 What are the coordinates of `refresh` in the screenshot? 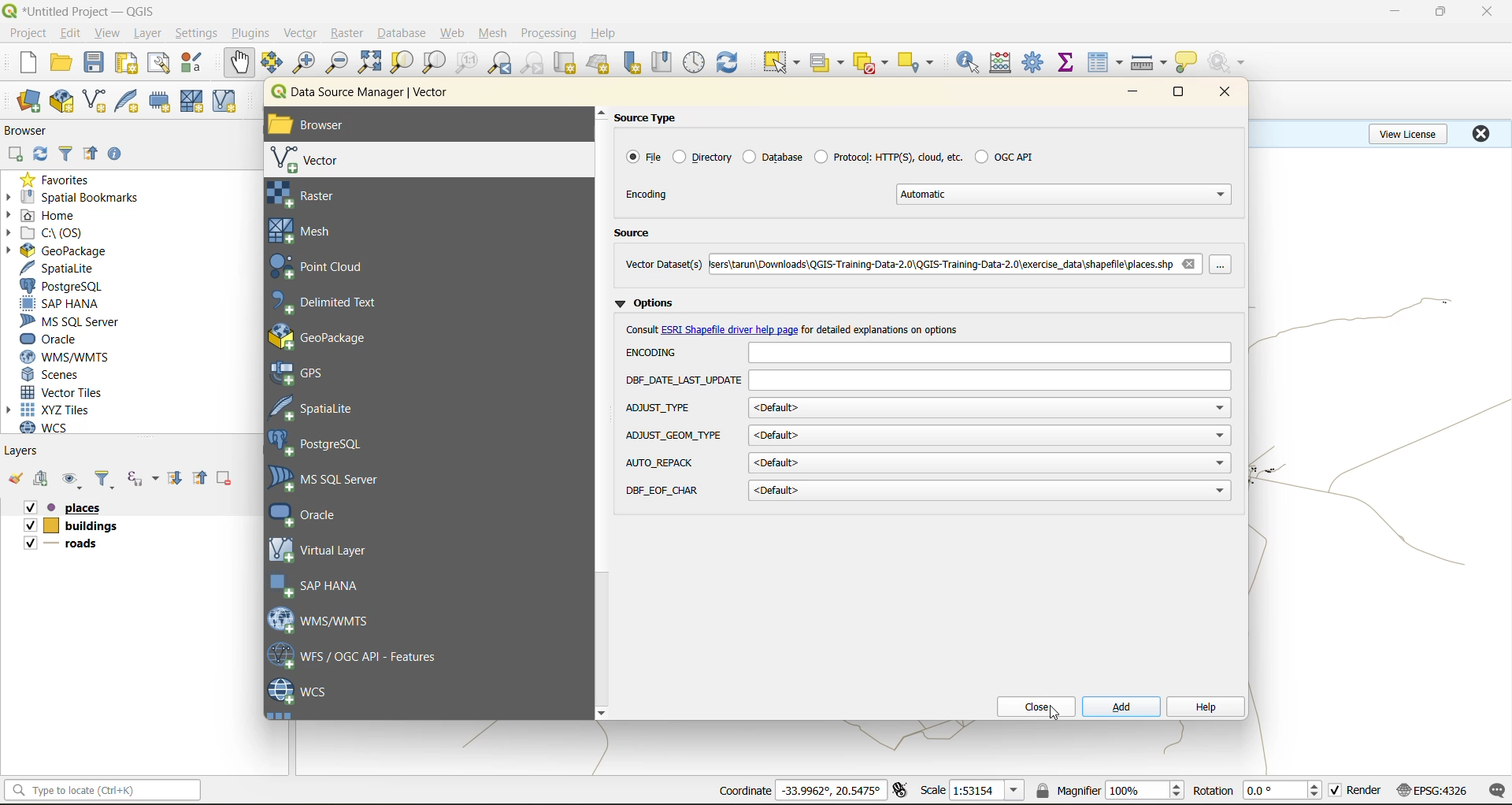 It's located at (728, 65).